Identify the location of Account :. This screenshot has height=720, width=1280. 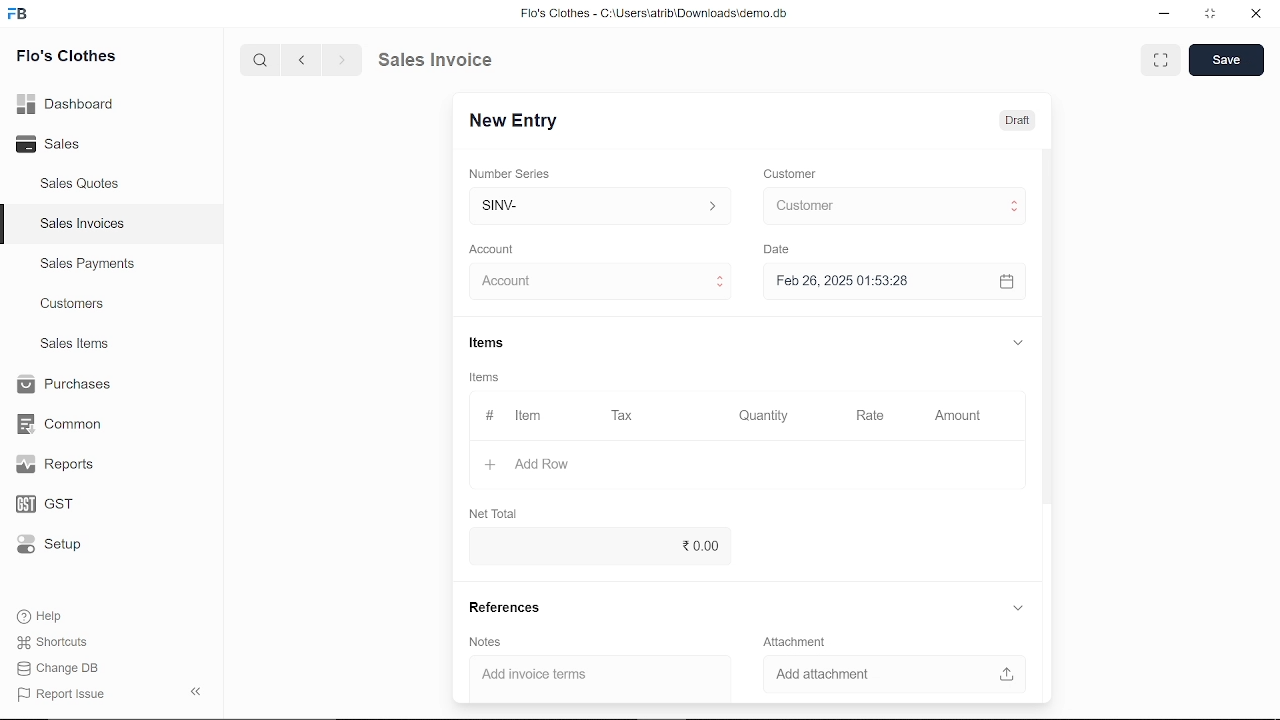
(597, 282).